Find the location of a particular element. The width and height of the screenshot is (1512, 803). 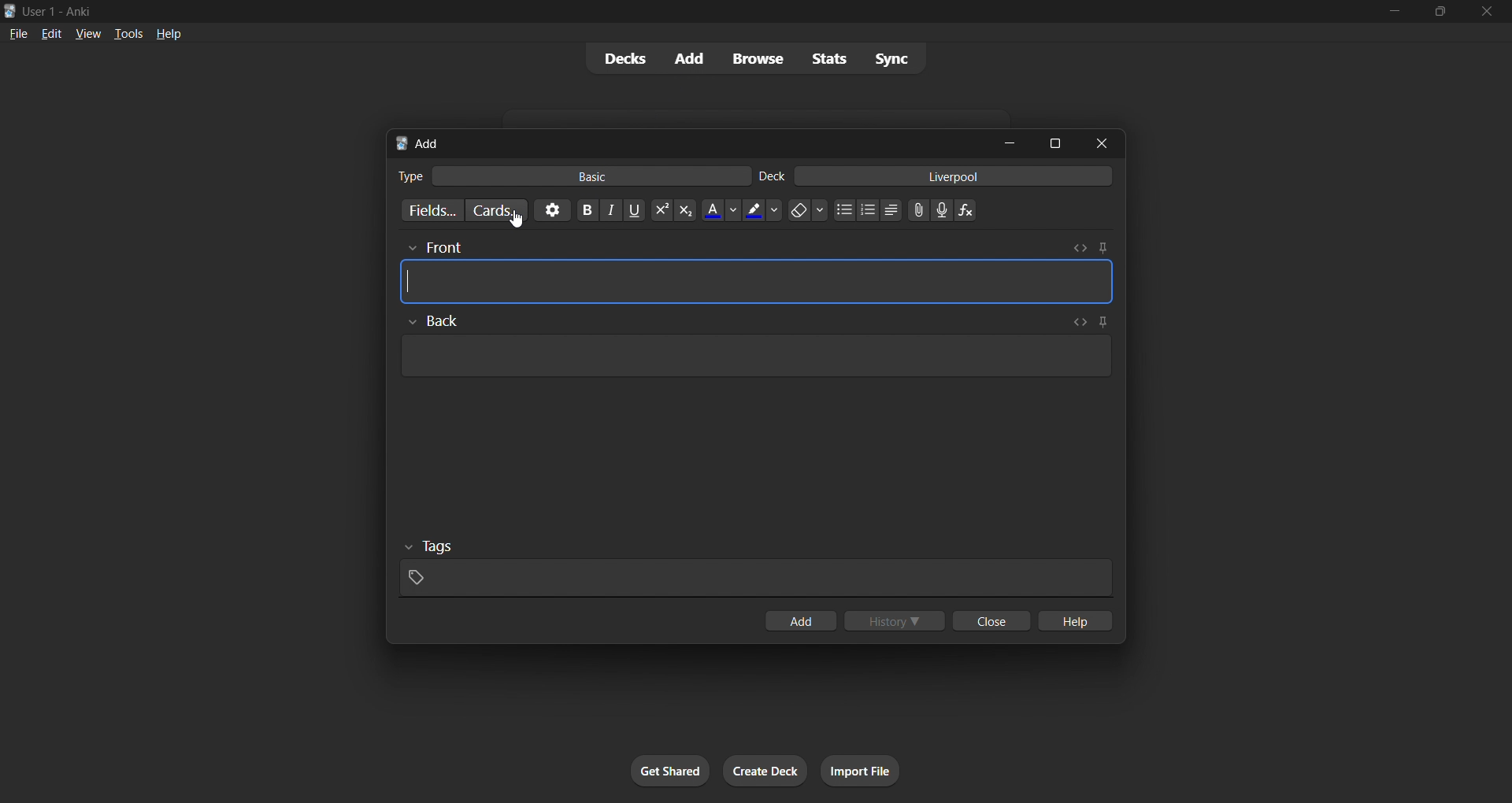

help is located at coordinates (1073, 622).